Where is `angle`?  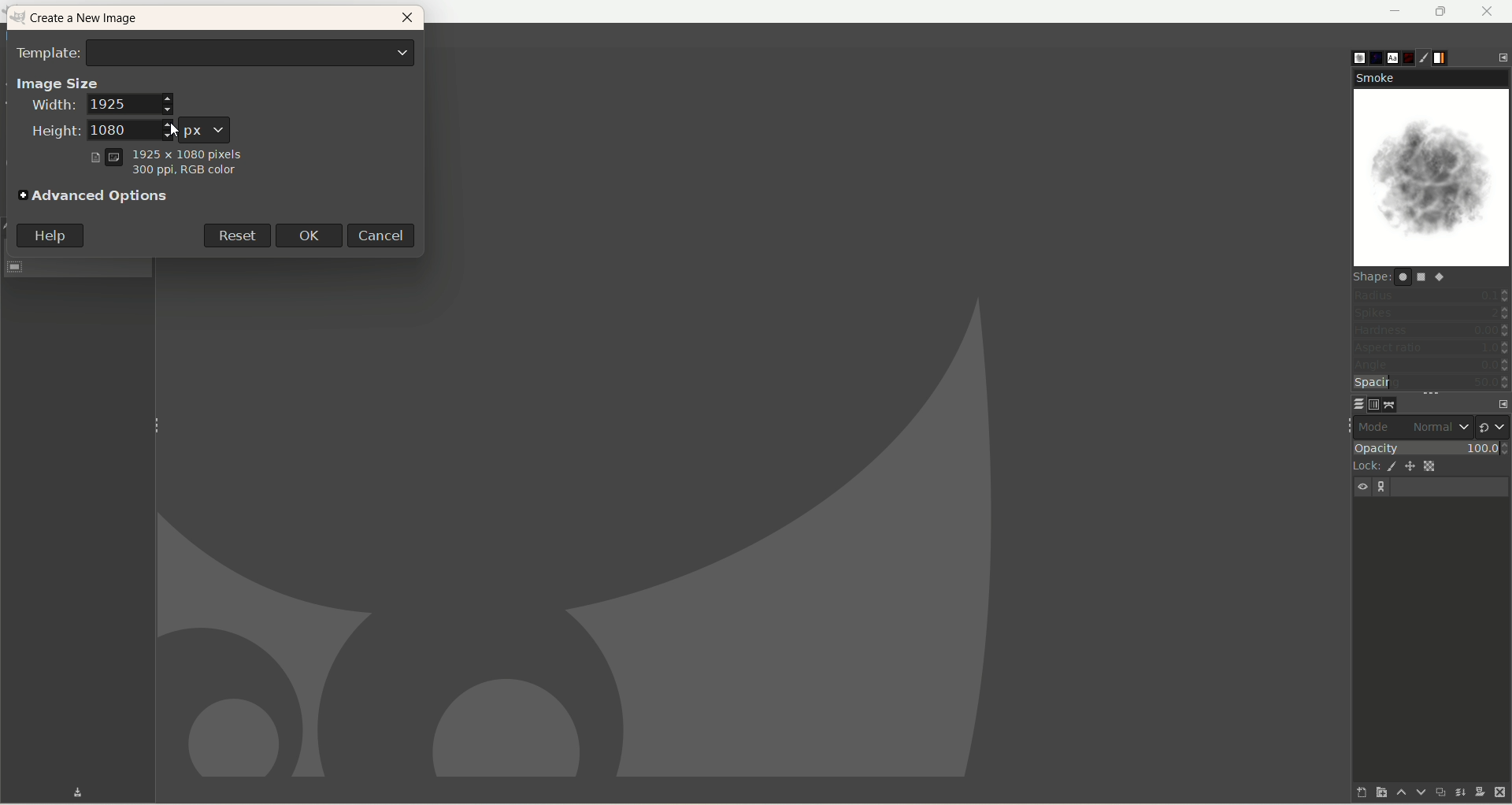 angle is located at coordinates (1430, 366).